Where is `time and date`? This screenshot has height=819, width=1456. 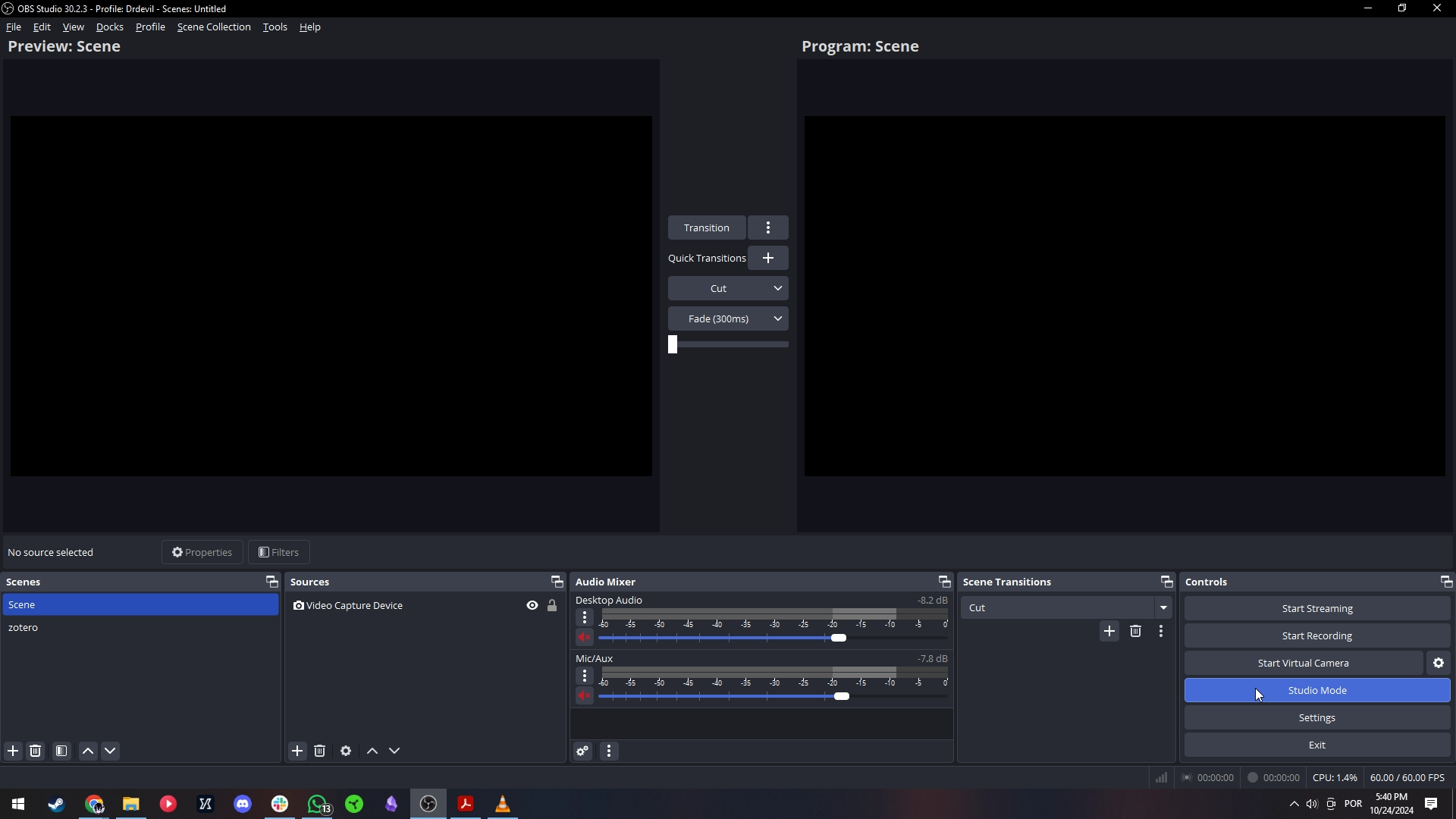
time and date is located at coordinates (1392, 804).